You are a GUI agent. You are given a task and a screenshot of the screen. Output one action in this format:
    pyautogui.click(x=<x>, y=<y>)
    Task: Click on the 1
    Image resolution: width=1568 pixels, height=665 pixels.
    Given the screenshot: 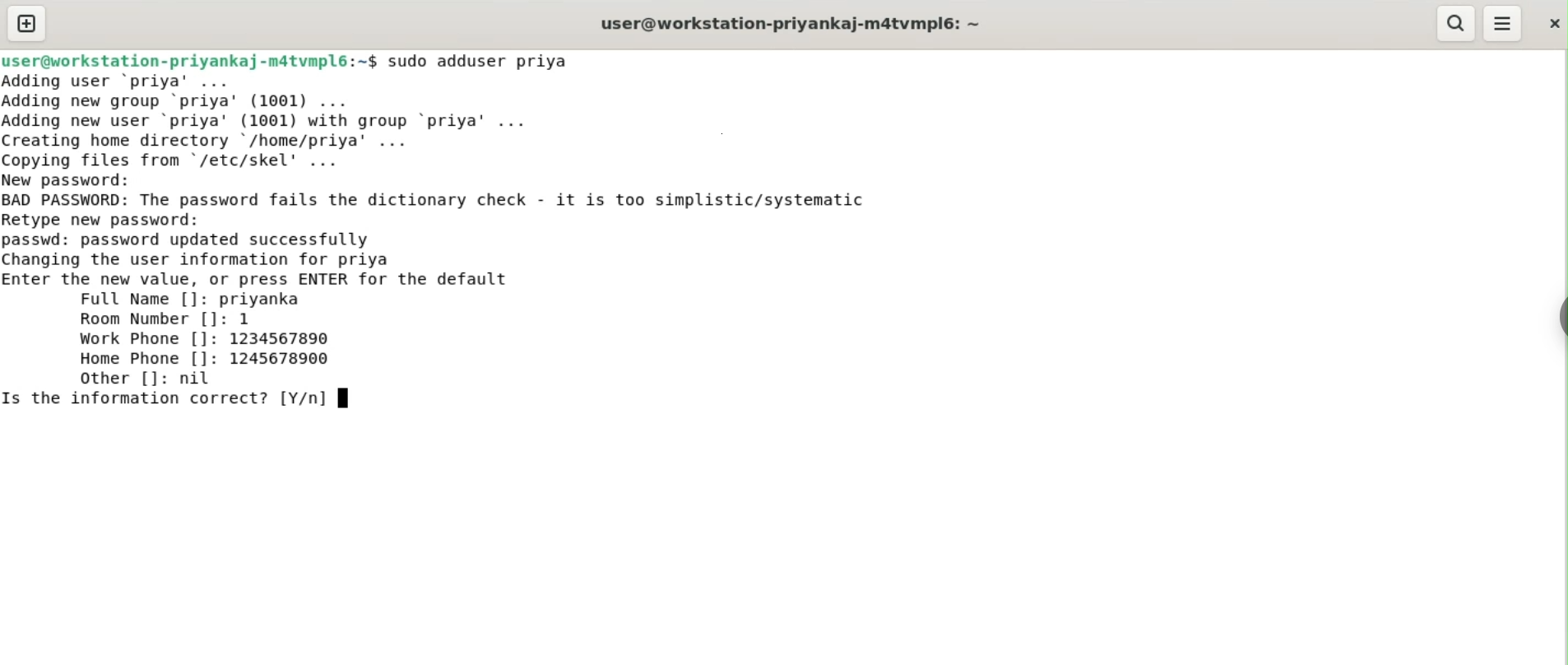 What is the action you would take?
    pyautogui.click(x=251, y=319)
    